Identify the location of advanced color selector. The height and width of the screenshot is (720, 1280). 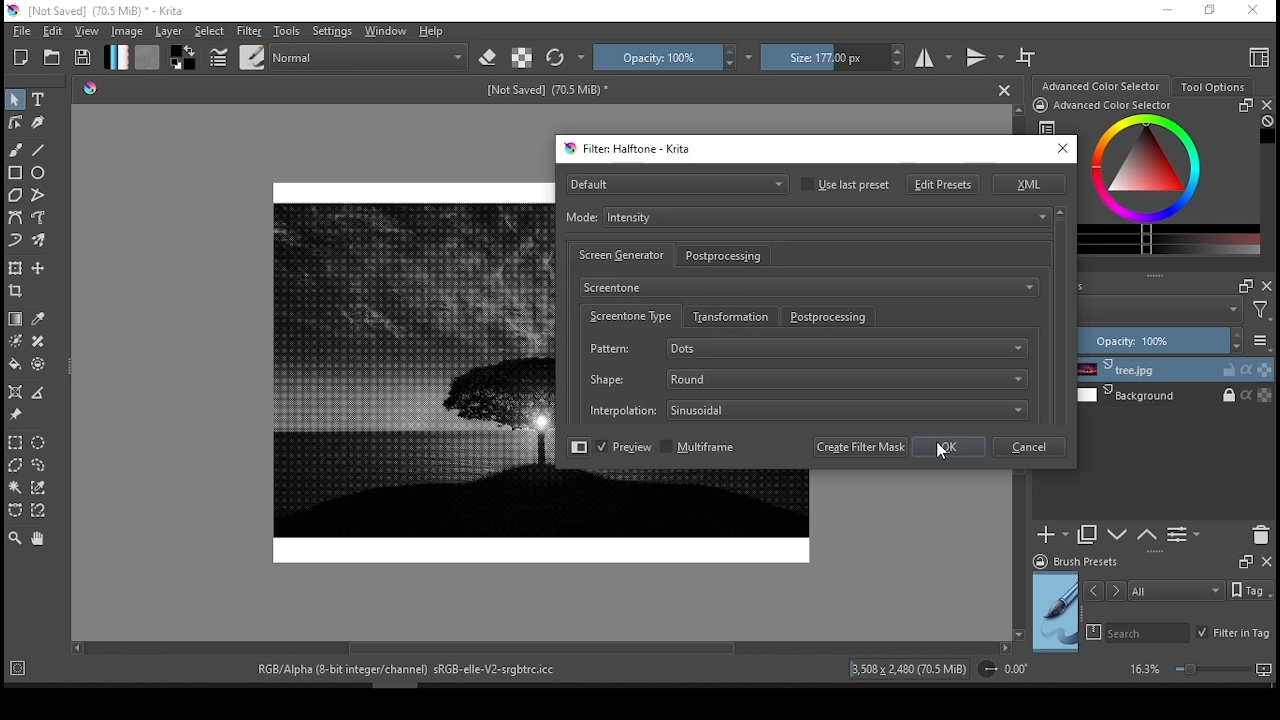
(1172, 185).